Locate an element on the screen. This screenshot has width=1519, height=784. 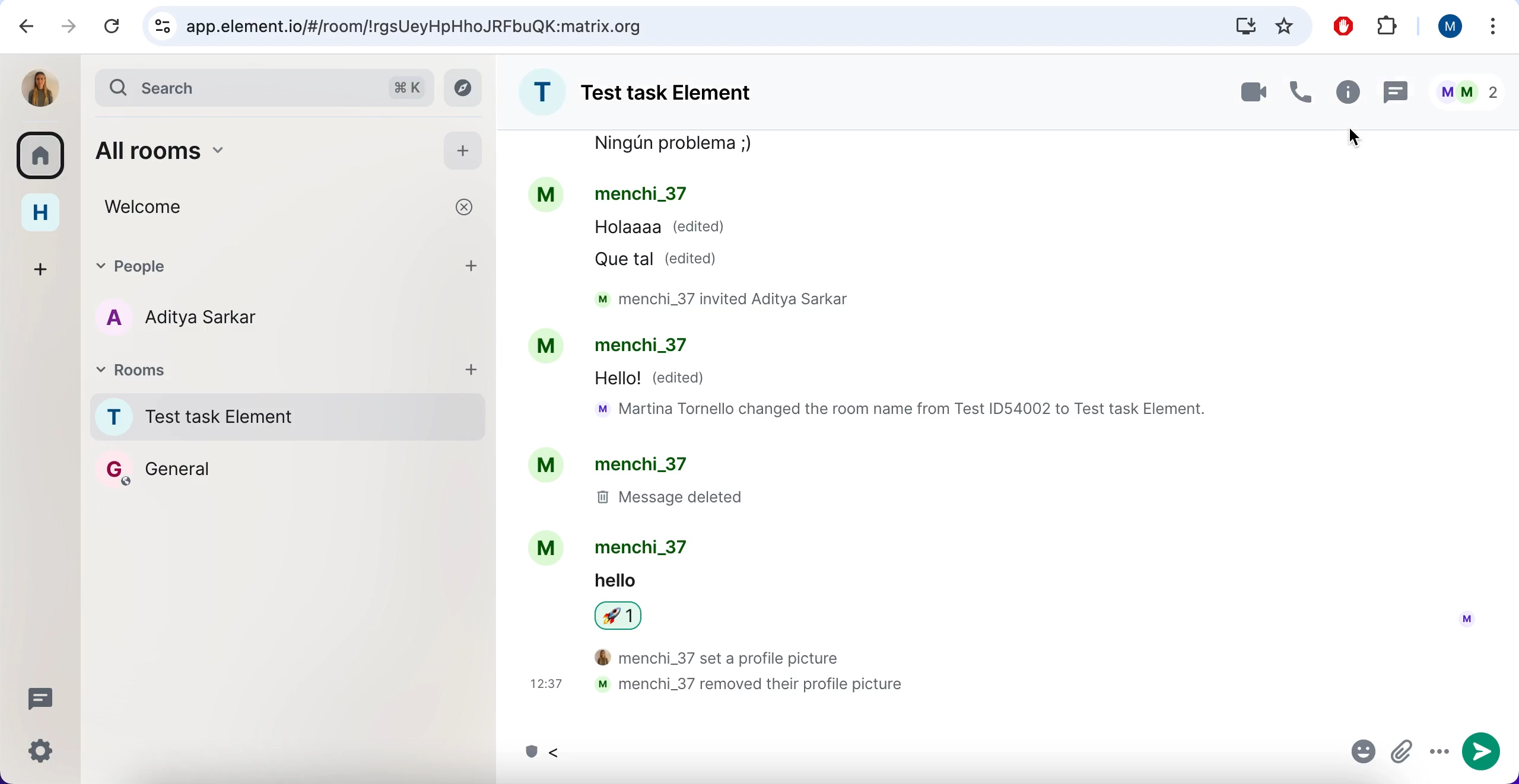
backward is located at coordinates (21, 27).